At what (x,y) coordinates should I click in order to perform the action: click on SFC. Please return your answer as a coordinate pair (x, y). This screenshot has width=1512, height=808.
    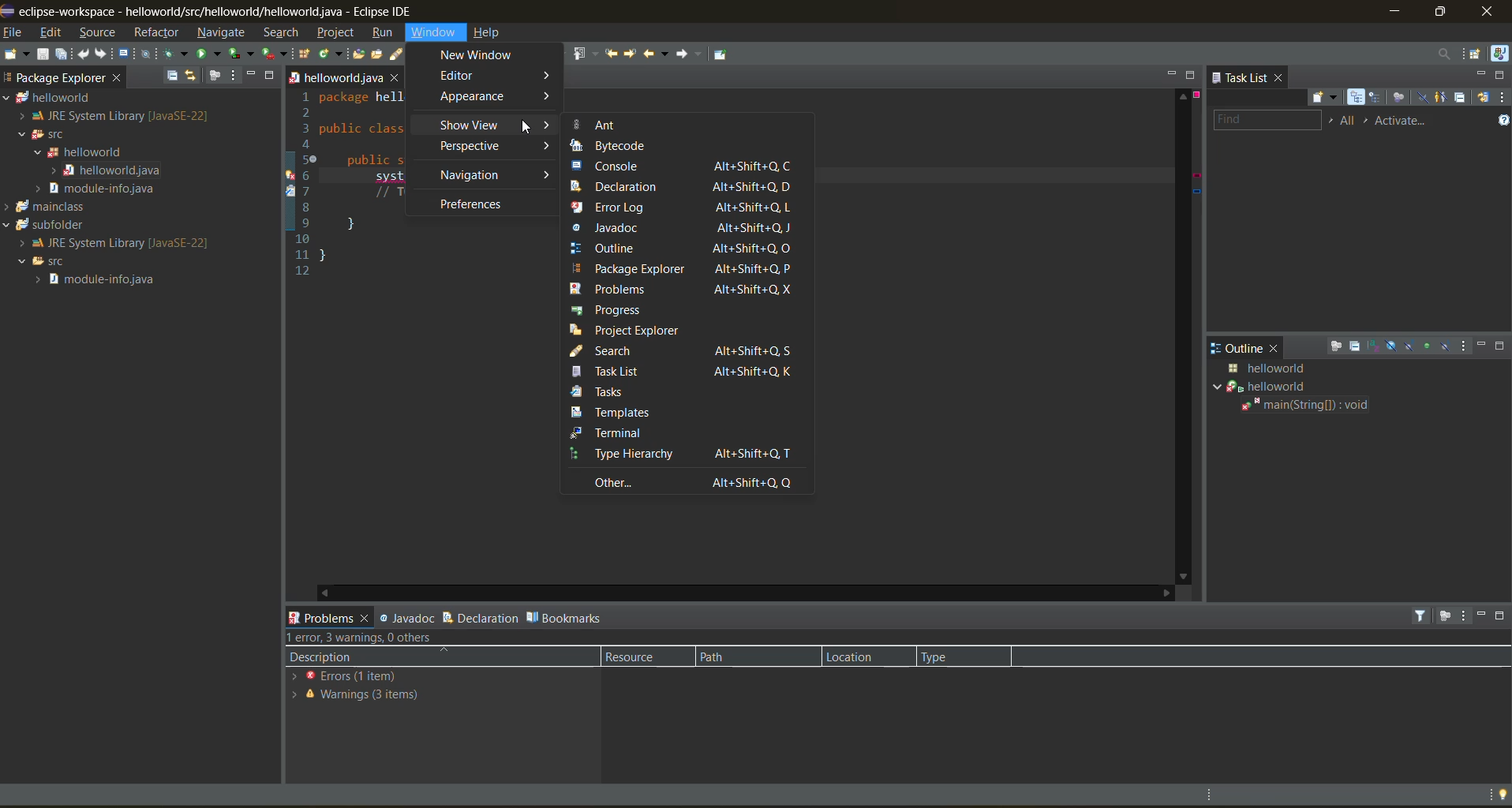
    Looking at the image, I should click on (45, 264).